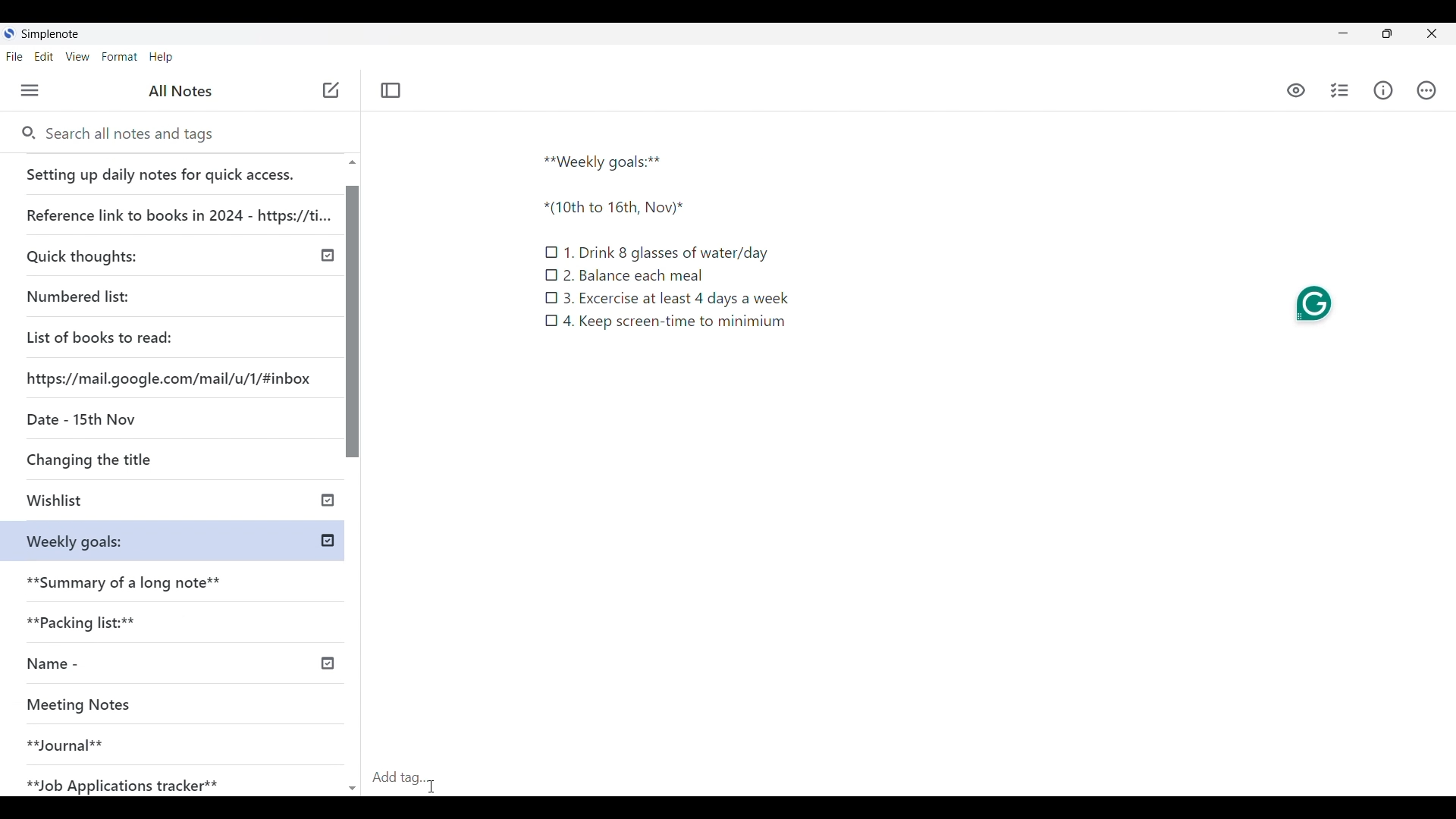 The height and width of the screenshot is (819, 1456). I want to click on All notes, so click(180, 91).